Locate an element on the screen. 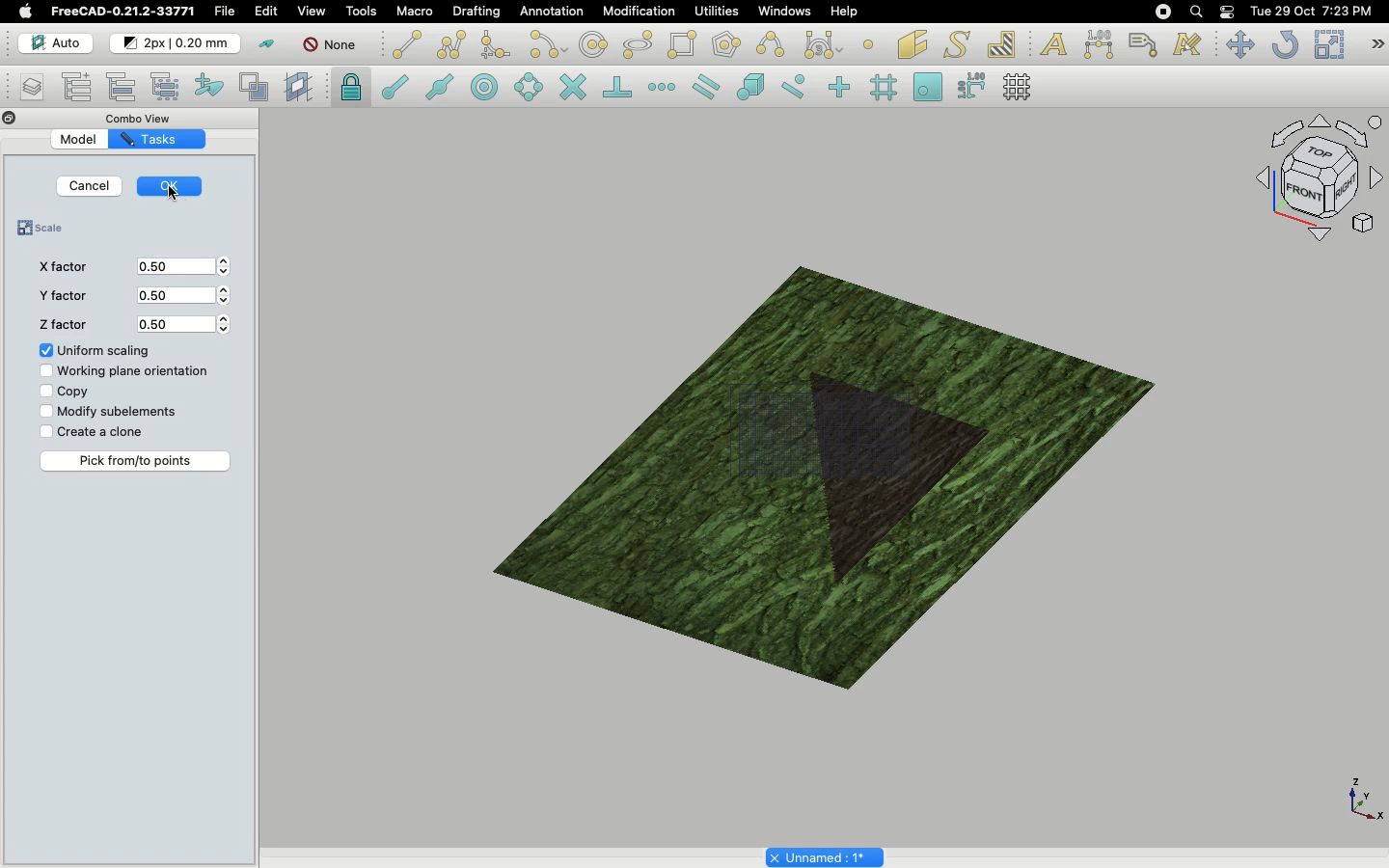 This screenshot has height=868, width=1389. Line is located at coordinates (404, 44).